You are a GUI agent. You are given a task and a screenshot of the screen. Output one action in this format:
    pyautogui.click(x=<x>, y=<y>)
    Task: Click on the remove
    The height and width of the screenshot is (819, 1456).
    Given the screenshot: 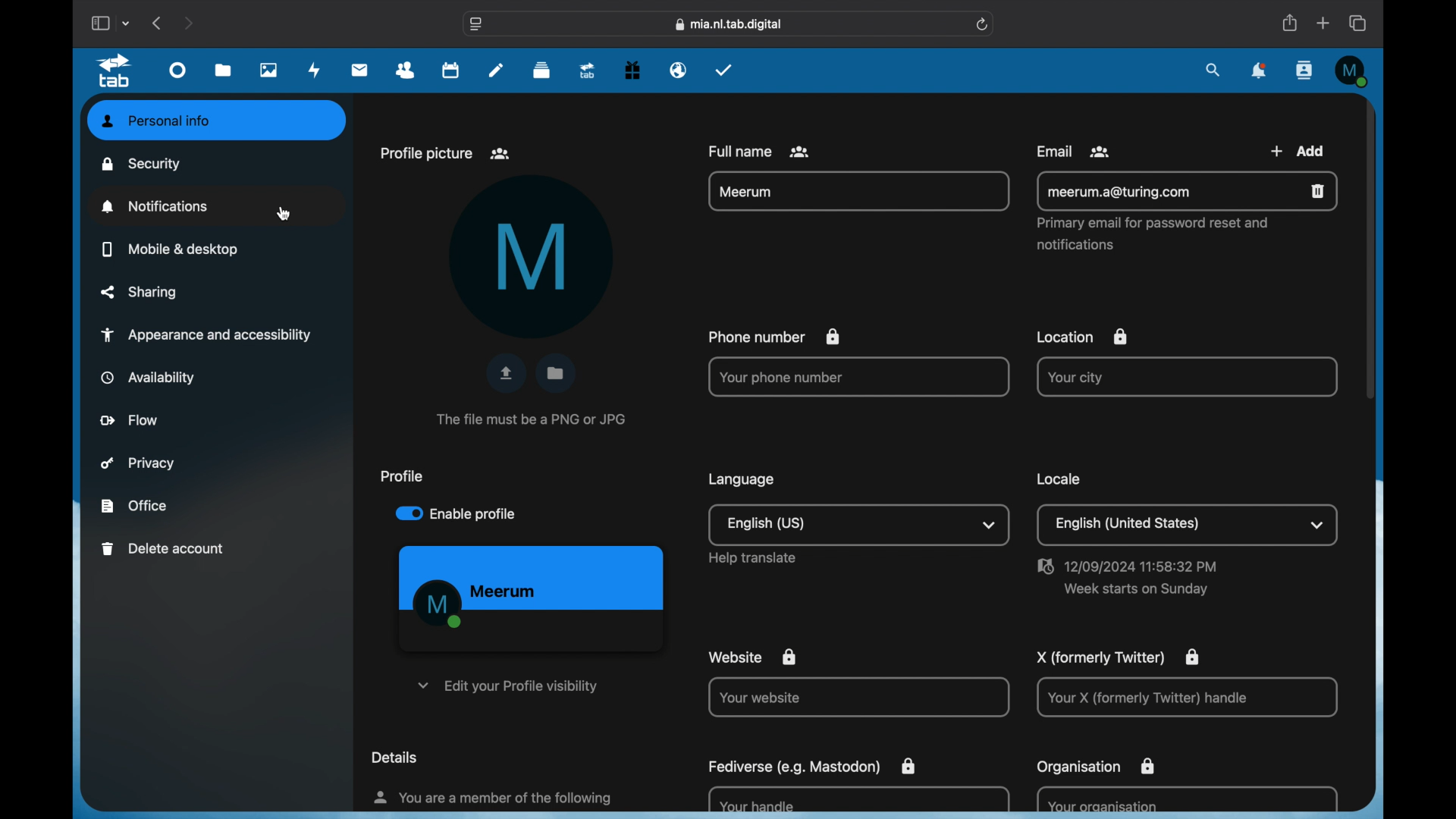 What is the action you would take?
    pyautogui.click(x=1318, y=190)
    